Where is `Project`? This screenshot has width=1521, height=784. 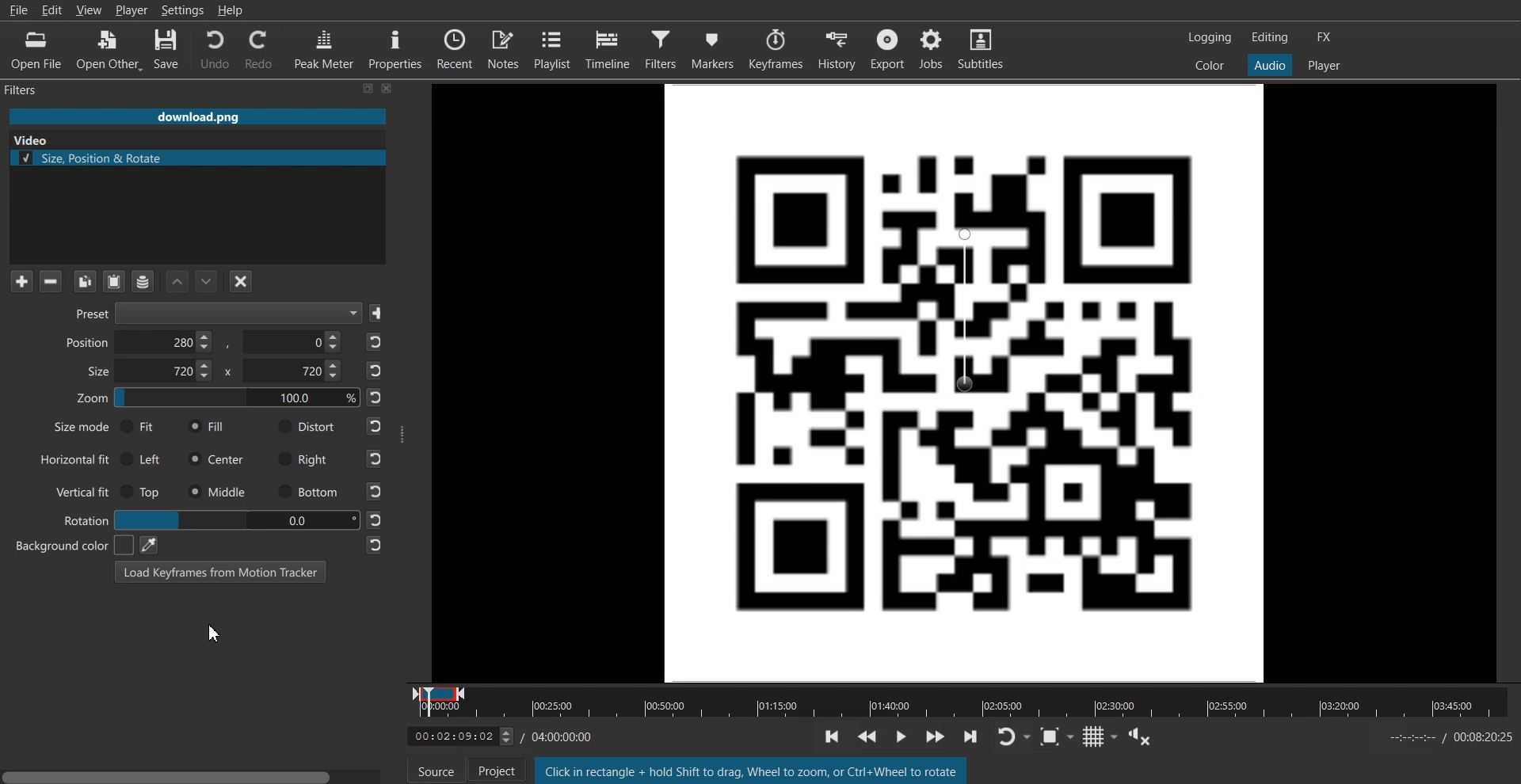
Project is located at coordinates (493, 771).